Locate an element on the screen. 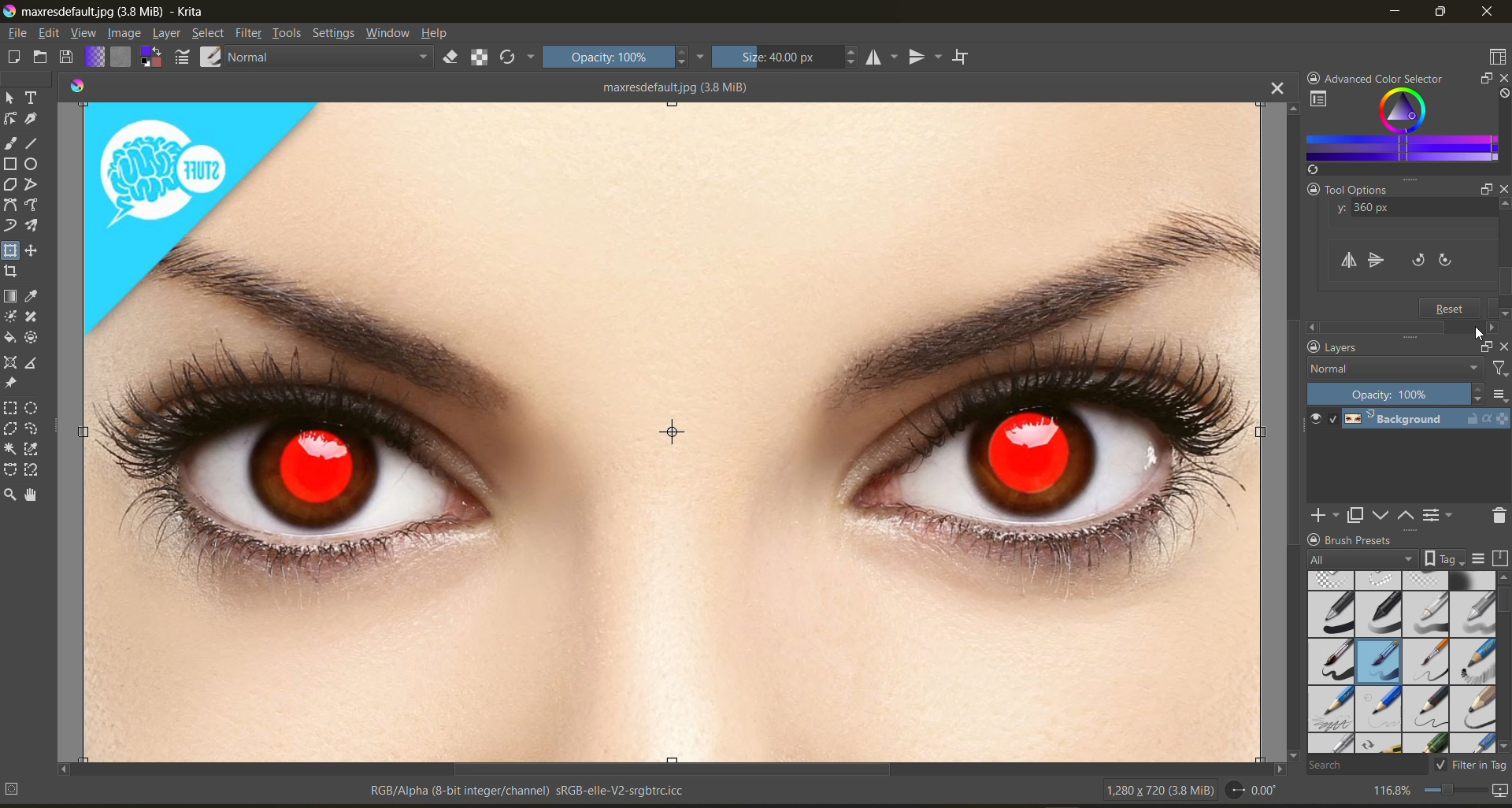  delete the layer is located at coordinates (1496, 516).